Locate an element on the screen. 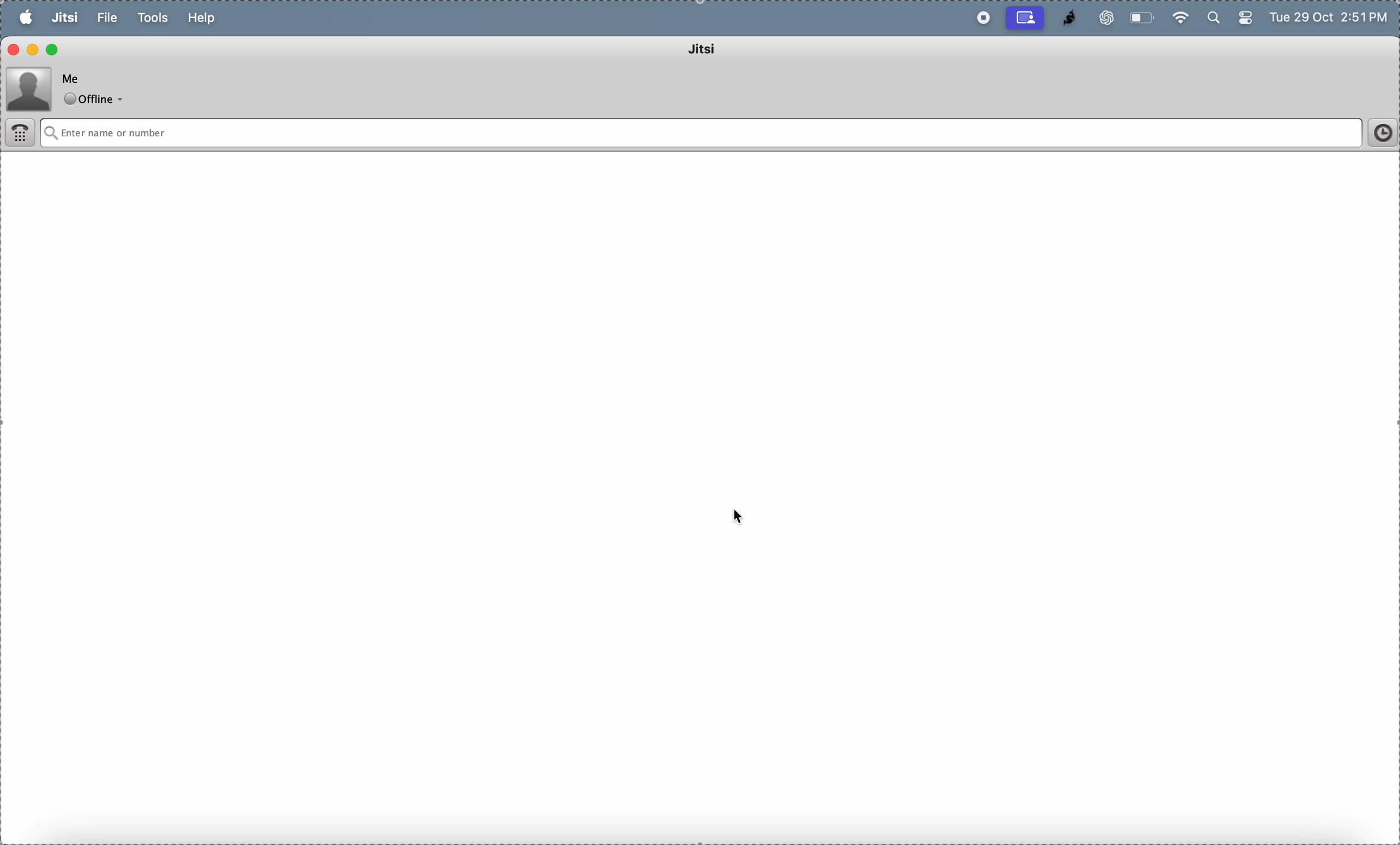 The image size is (1400, 845). dialer is located at coordinates (22, 135).